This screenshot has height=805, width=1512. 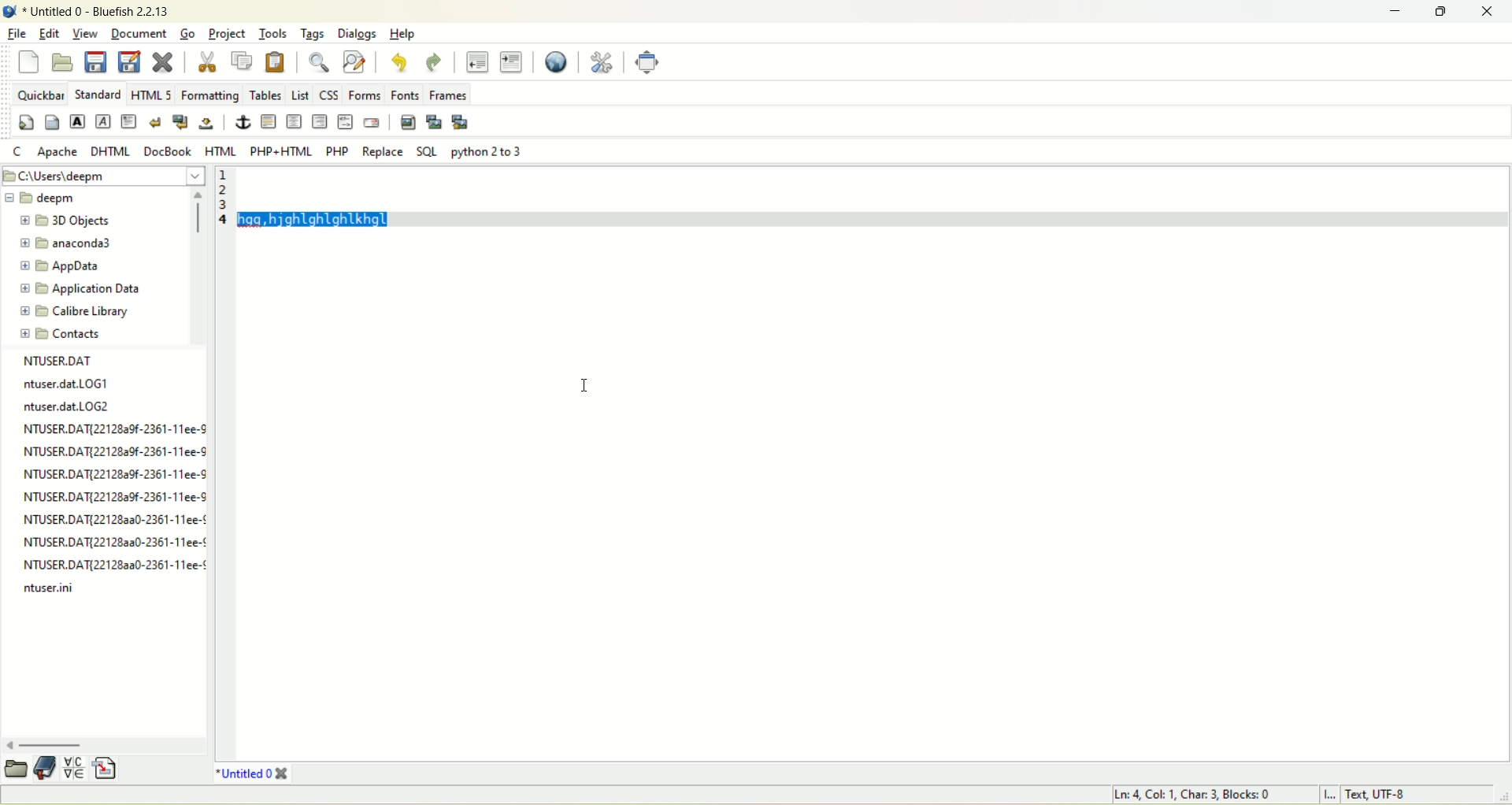 What do you see at coordinates (65, 265) in the screenshot?
I see `folder name` at bounding box center [65, 265].